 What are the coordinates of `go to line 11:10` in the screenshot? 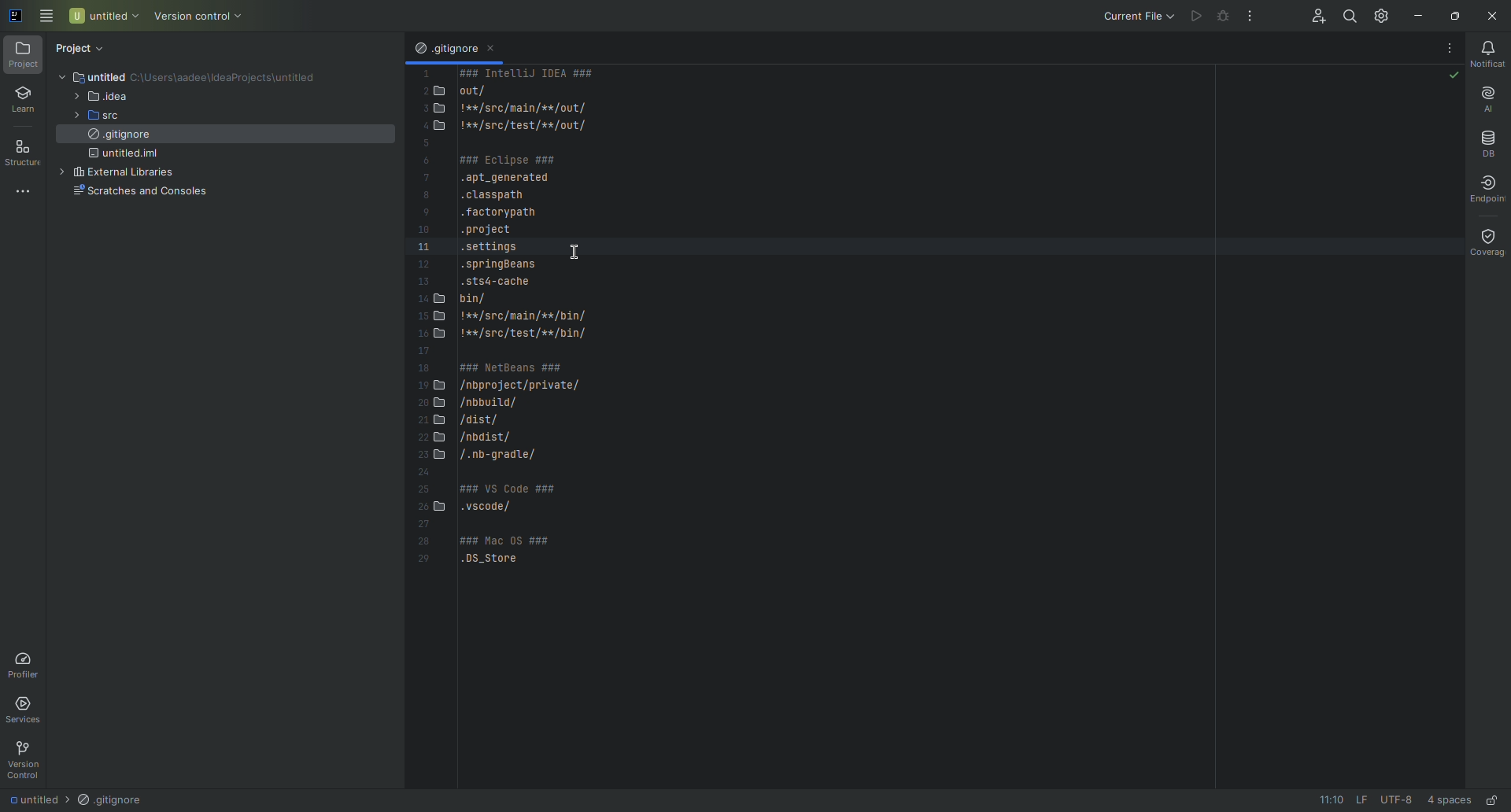 It's located at (1324, 800).